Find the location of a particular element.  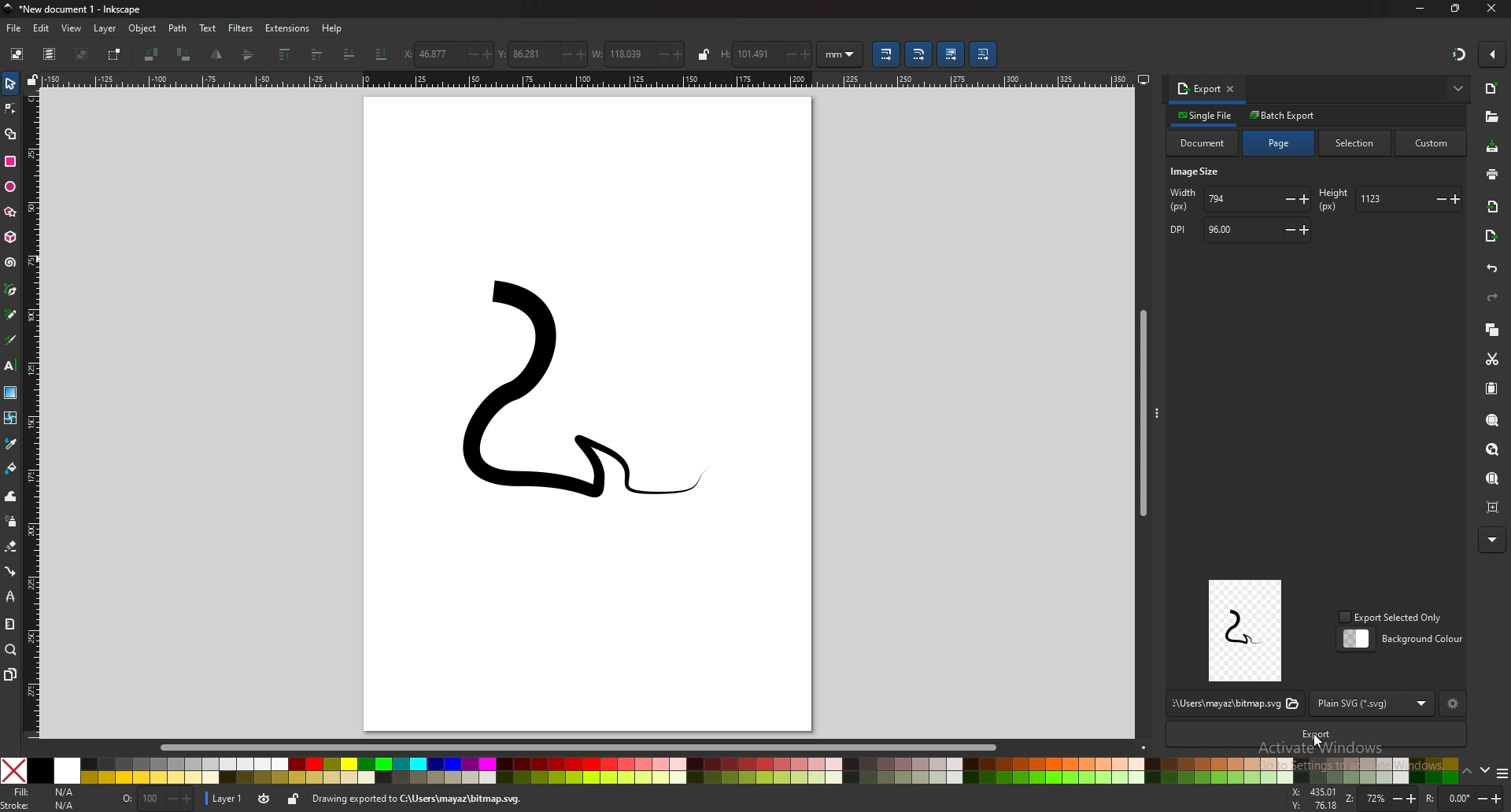

lock is located at coordinates (293, 799).